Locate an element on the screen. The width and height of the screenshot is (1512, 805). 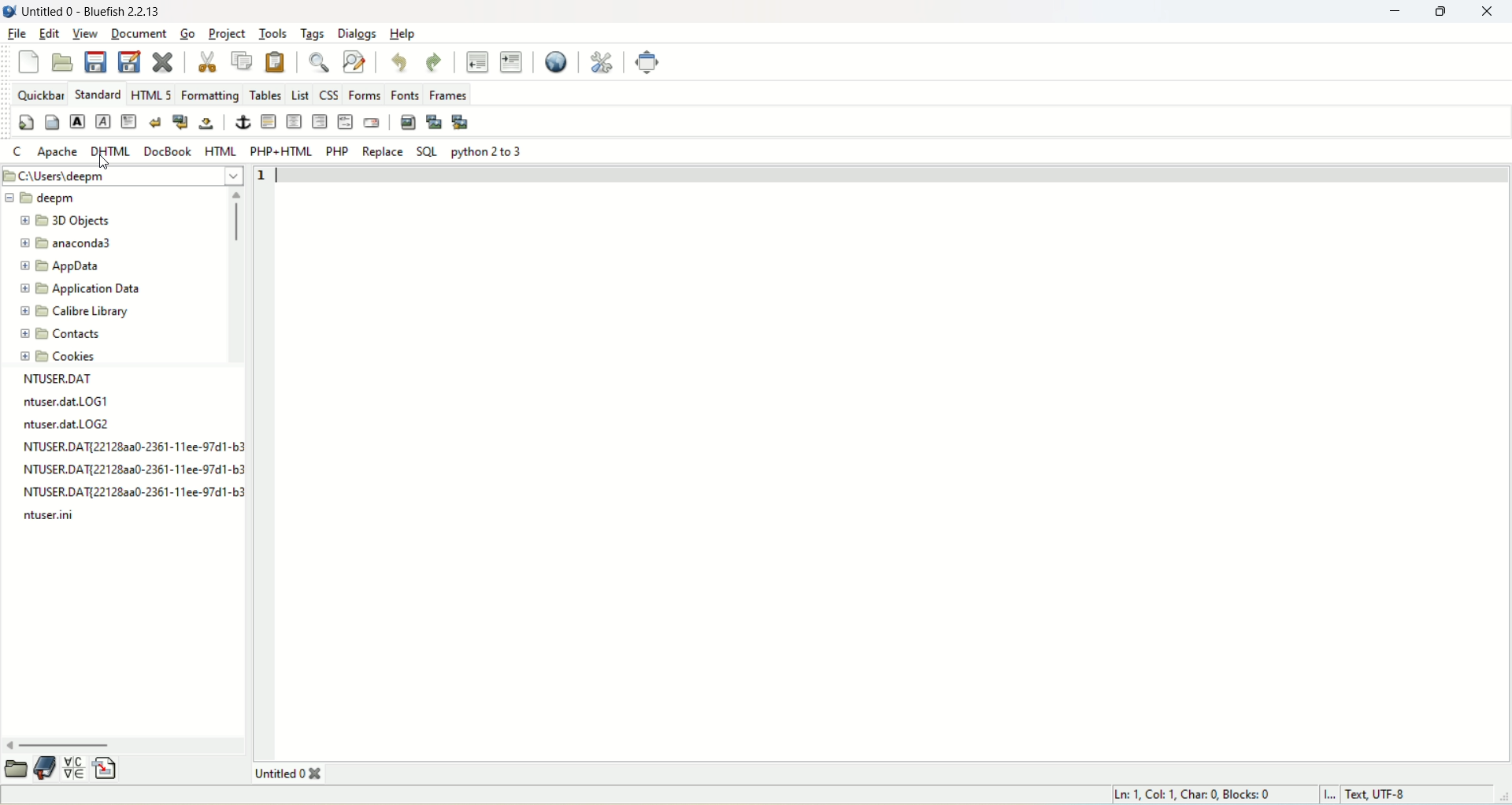
cut is located at coordinates (209, 63).